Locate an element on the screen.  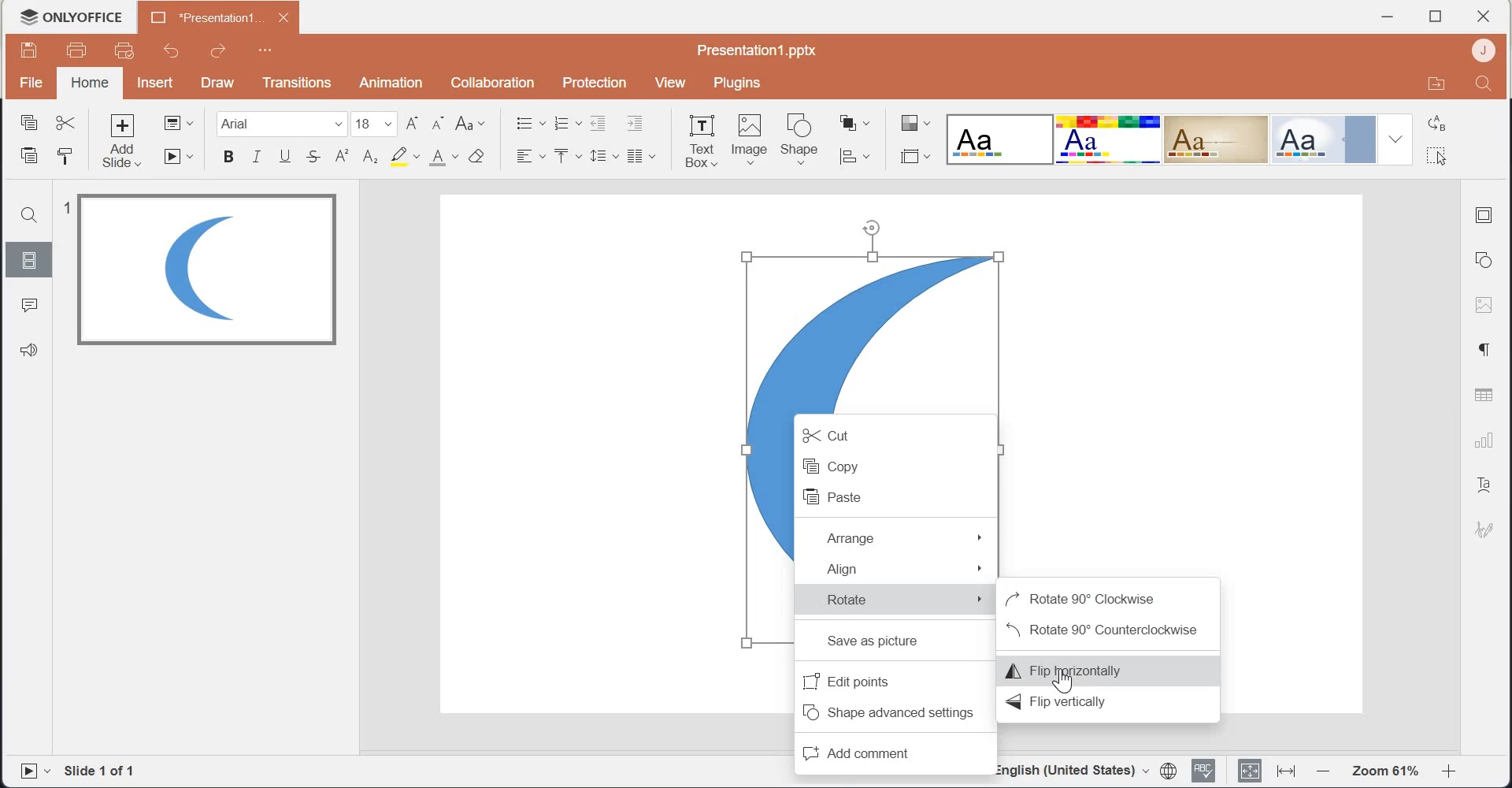
Select all is located at coordinates (1444, 153).